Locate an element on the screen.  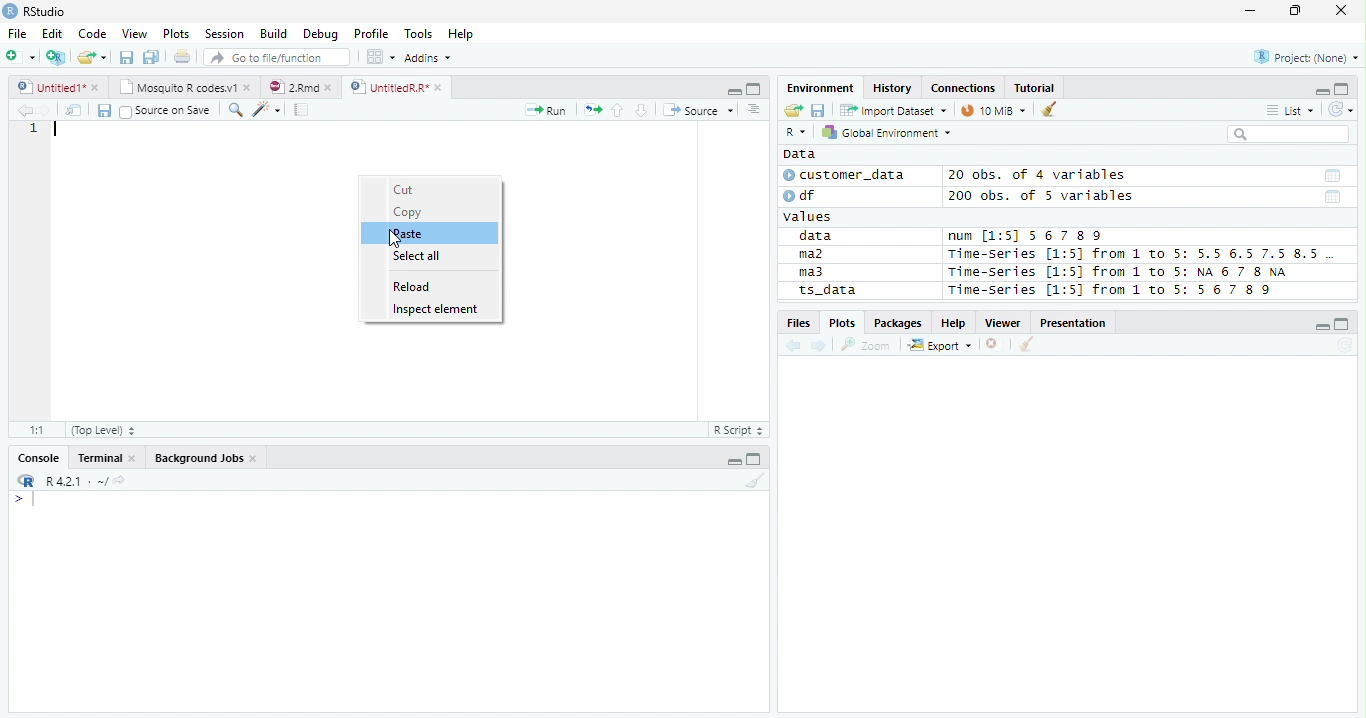
Session is located at coordinates (223, 33).